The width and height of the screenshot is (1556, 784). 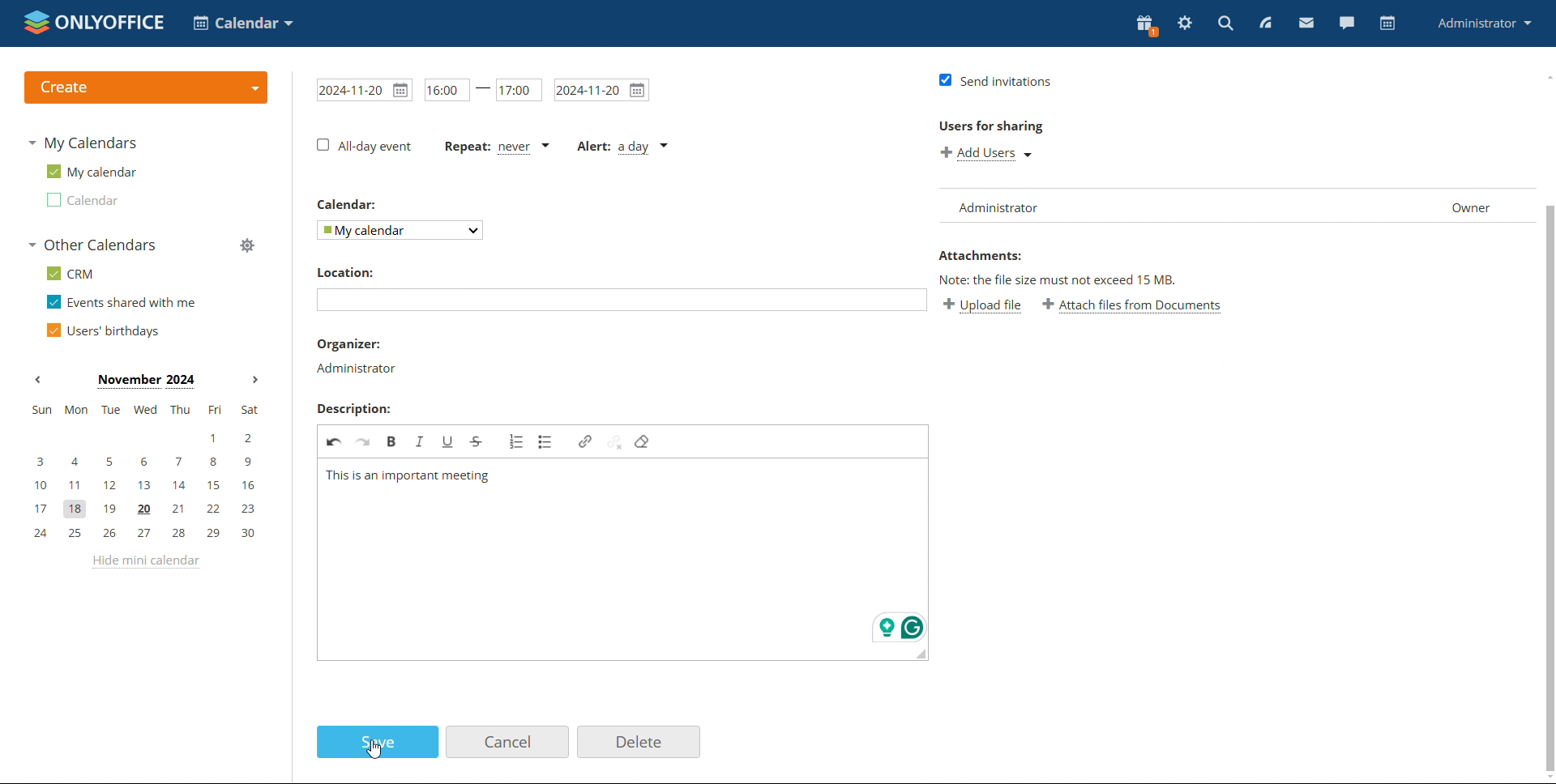 I want to click on Insert or remove numbered list, so click(x=517, y=441).